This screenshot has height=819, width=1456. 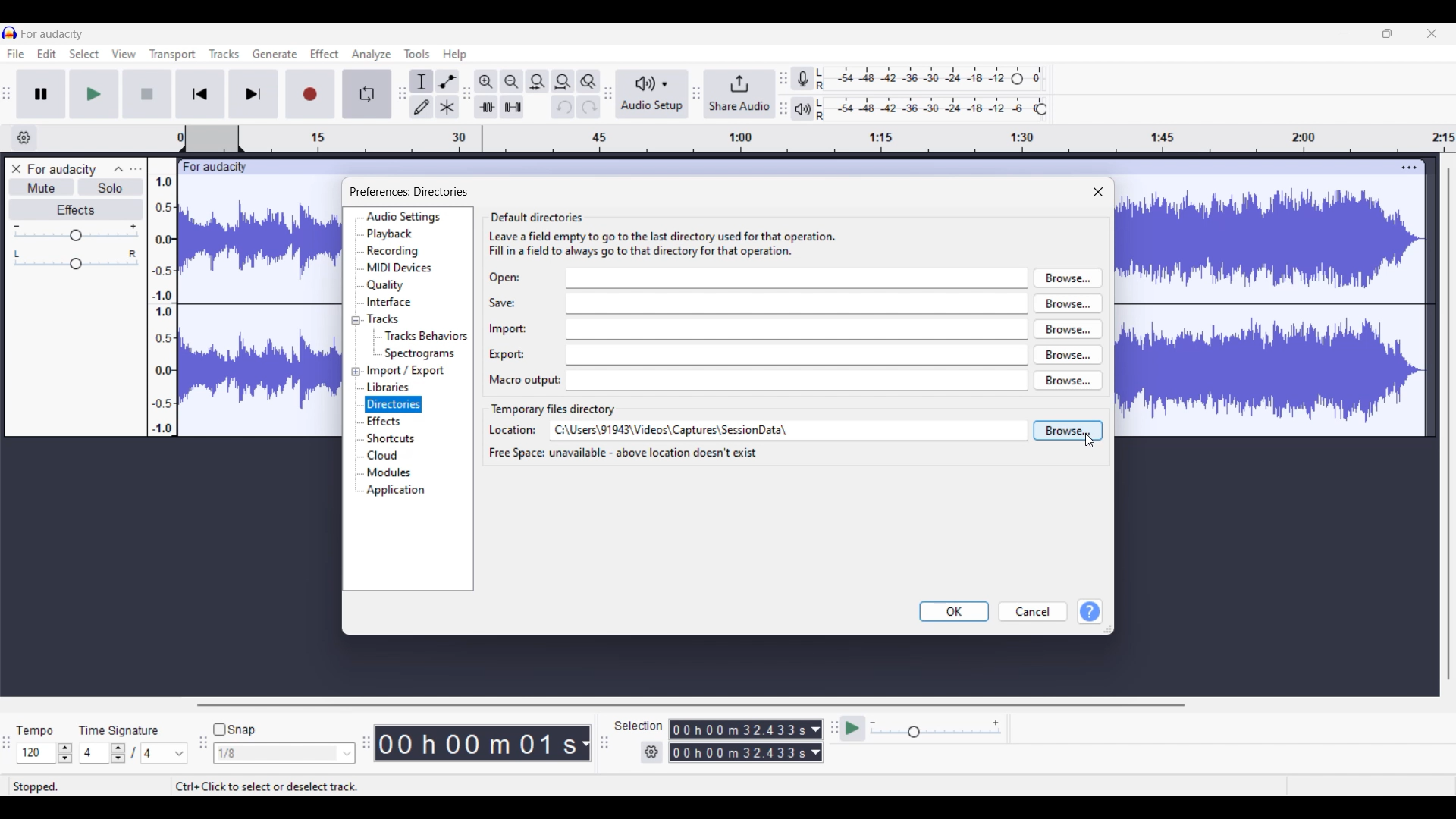 I want to click on Zoom toggle, so click(x=588, y=81).